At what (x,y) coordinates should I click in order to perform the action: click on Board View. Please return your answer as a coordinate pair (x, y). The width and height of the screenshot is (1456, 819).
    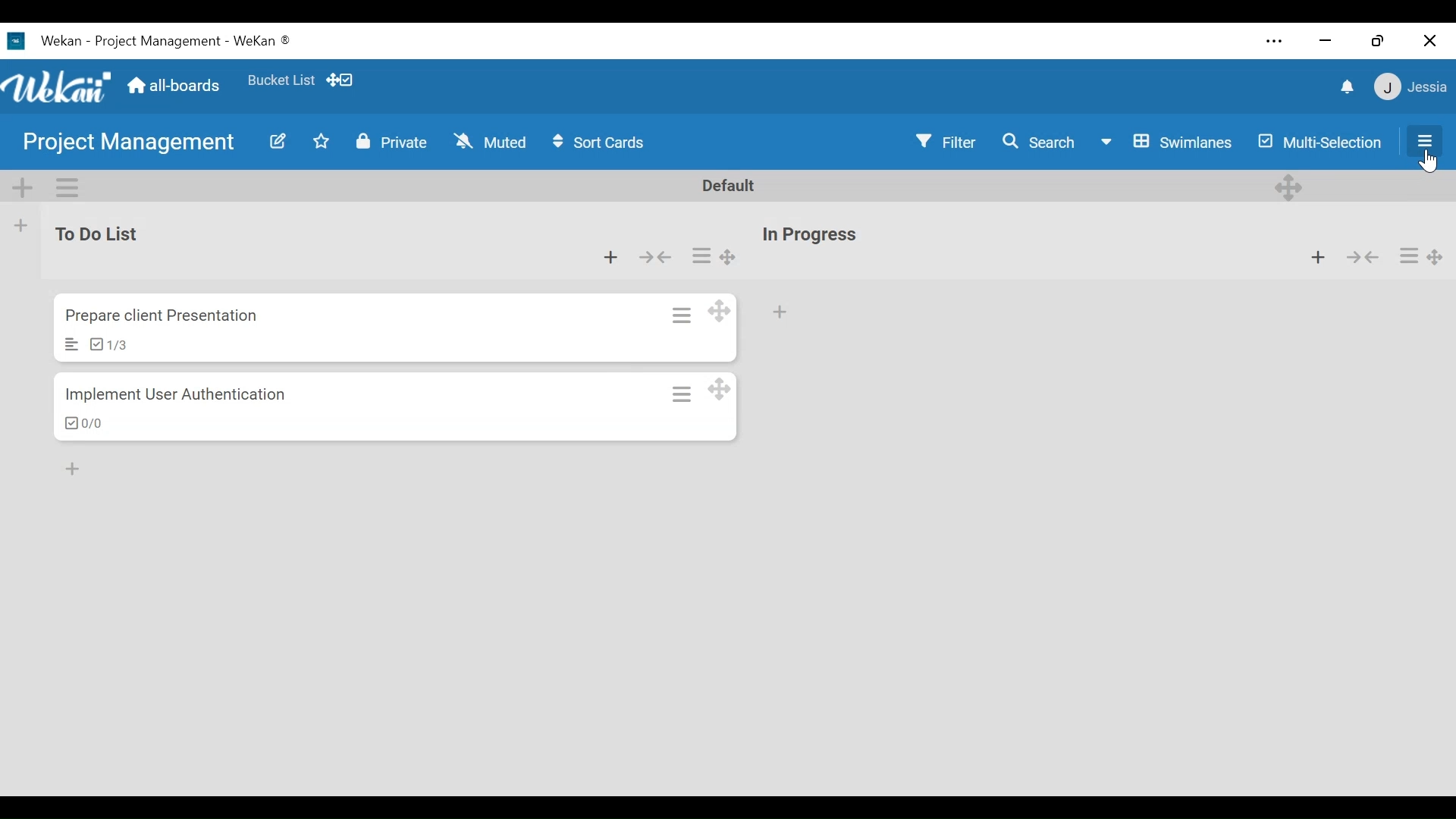
    Looking at the image, I should click on (1167, 144).